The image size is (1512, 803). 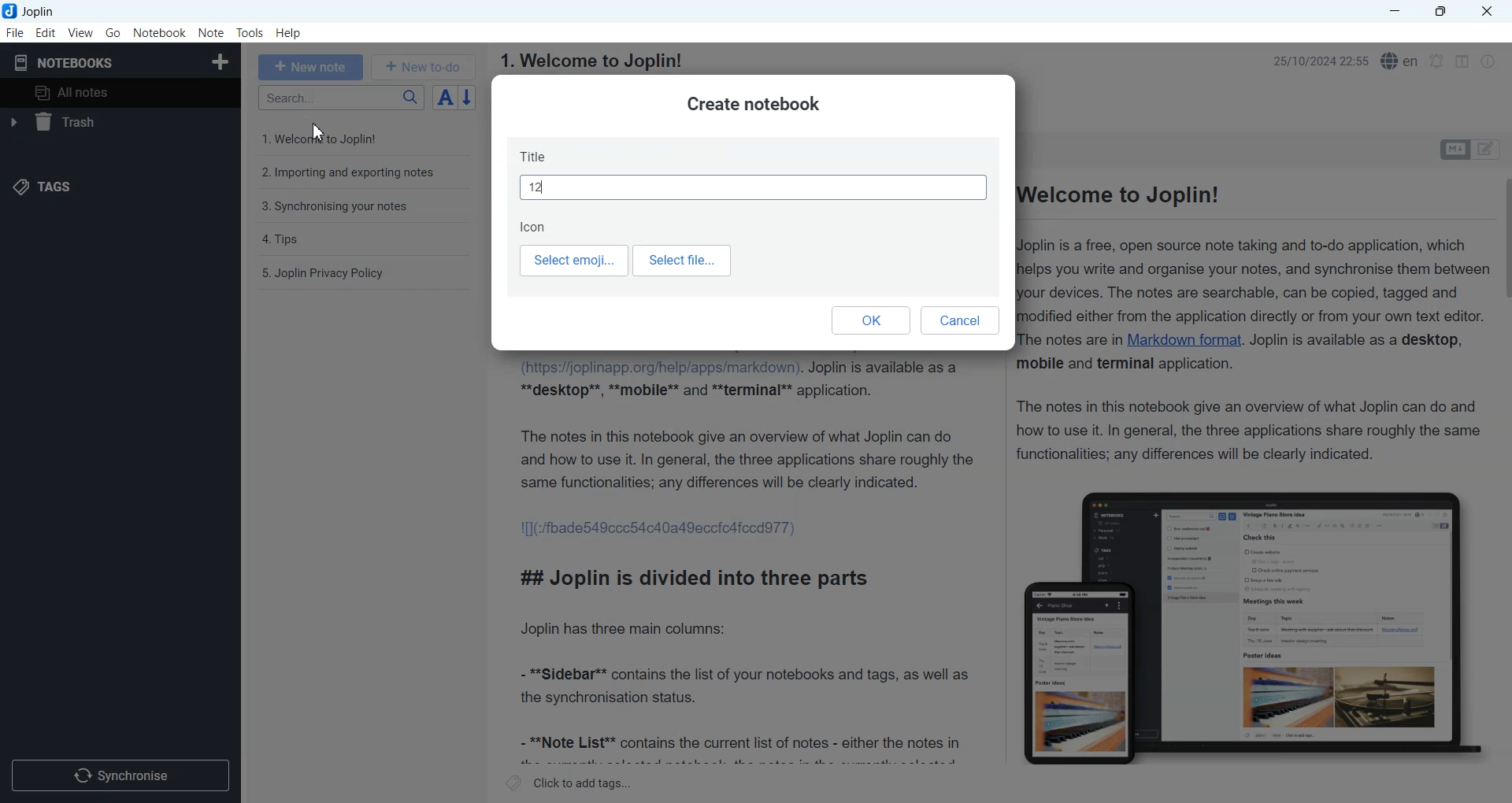 I want to click on Close, so click(x=1485, y=12).